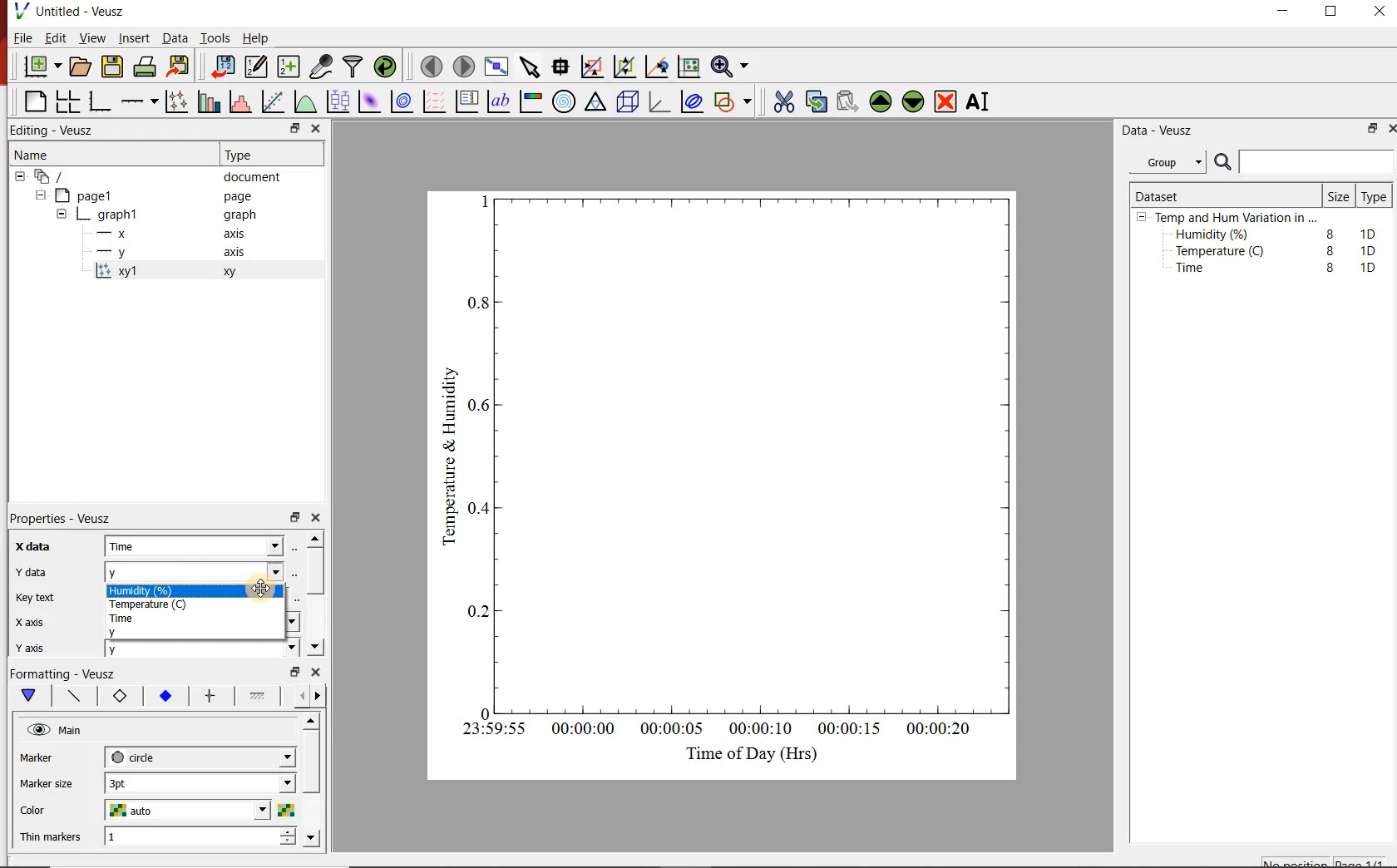  What do you see at coordinates (816, 101) in the screenshot?
I see `copy the selected widget` at bounding box center [816, 101].